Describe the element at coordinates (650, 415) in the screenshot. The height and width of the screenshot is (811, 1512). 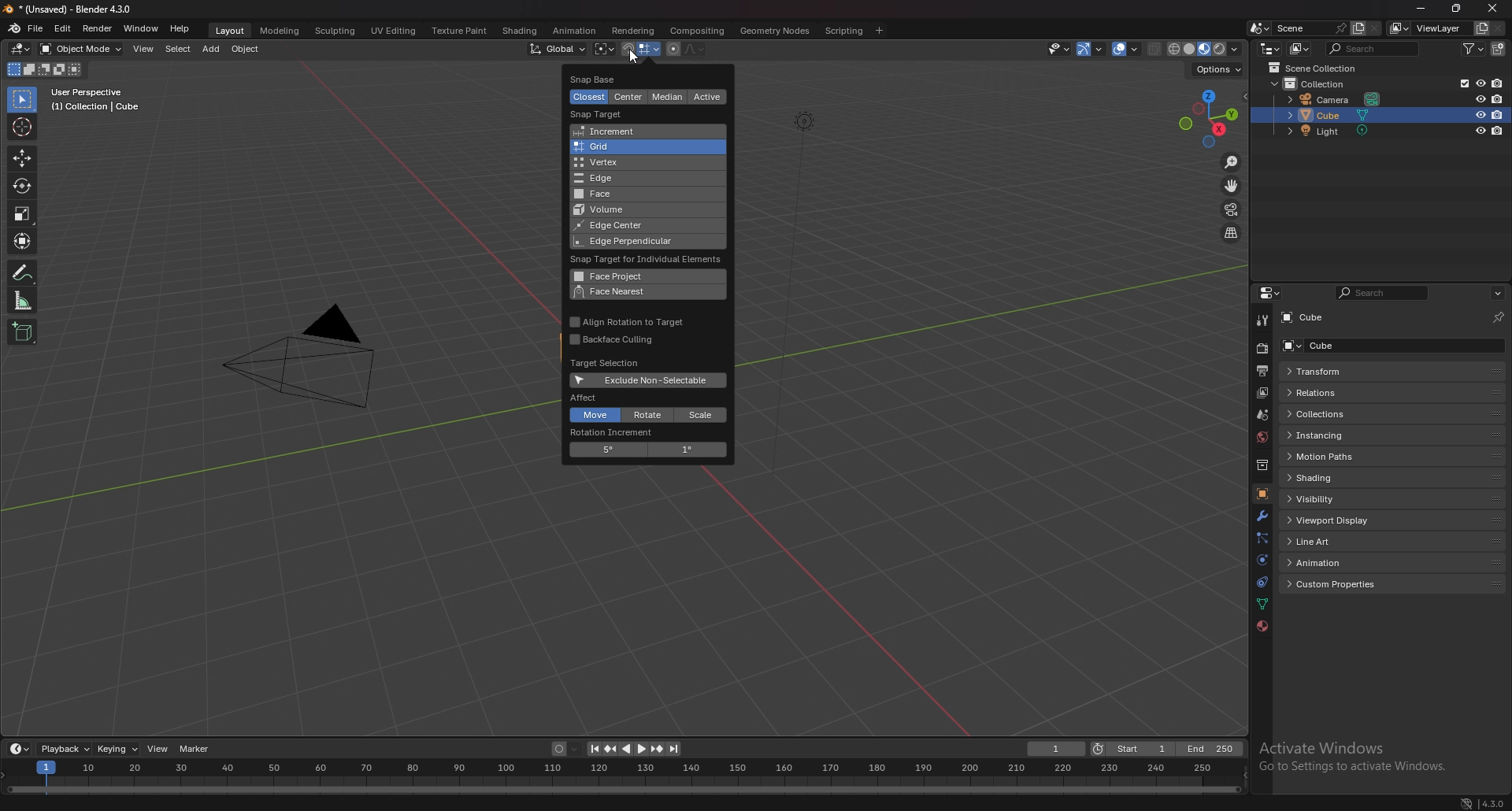
I see `rotate` at that location.